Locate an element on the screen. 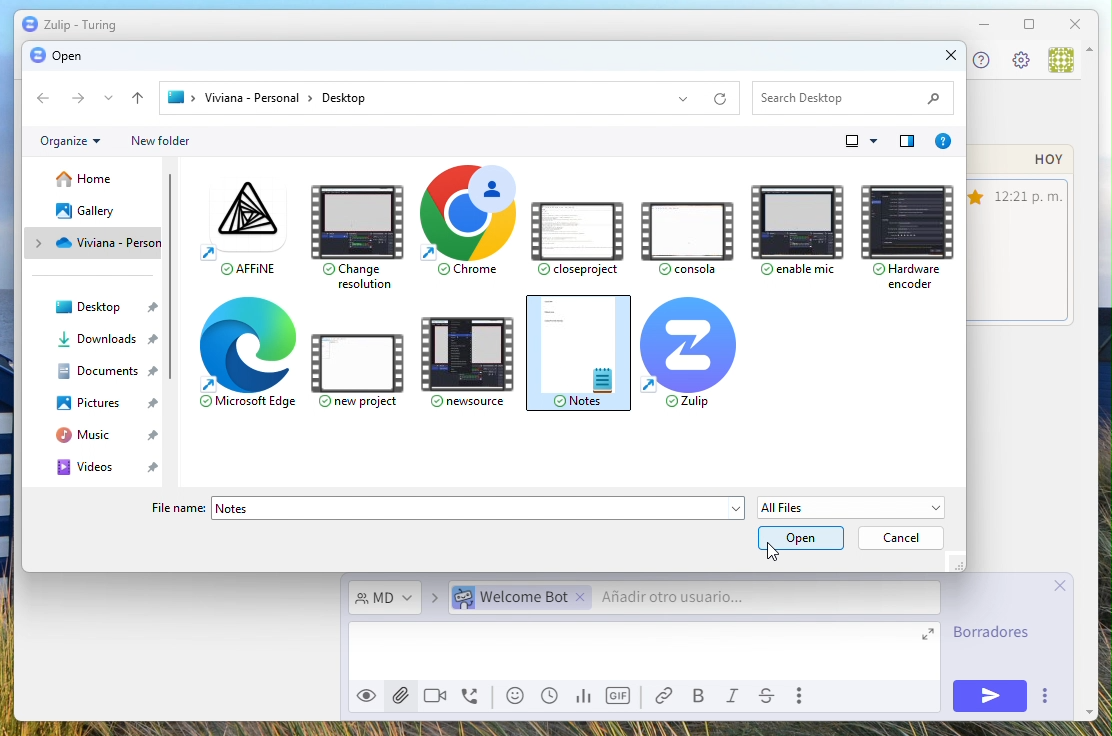 This screenshot has width=1112, height=736. send is located at coordinates (982, 695).